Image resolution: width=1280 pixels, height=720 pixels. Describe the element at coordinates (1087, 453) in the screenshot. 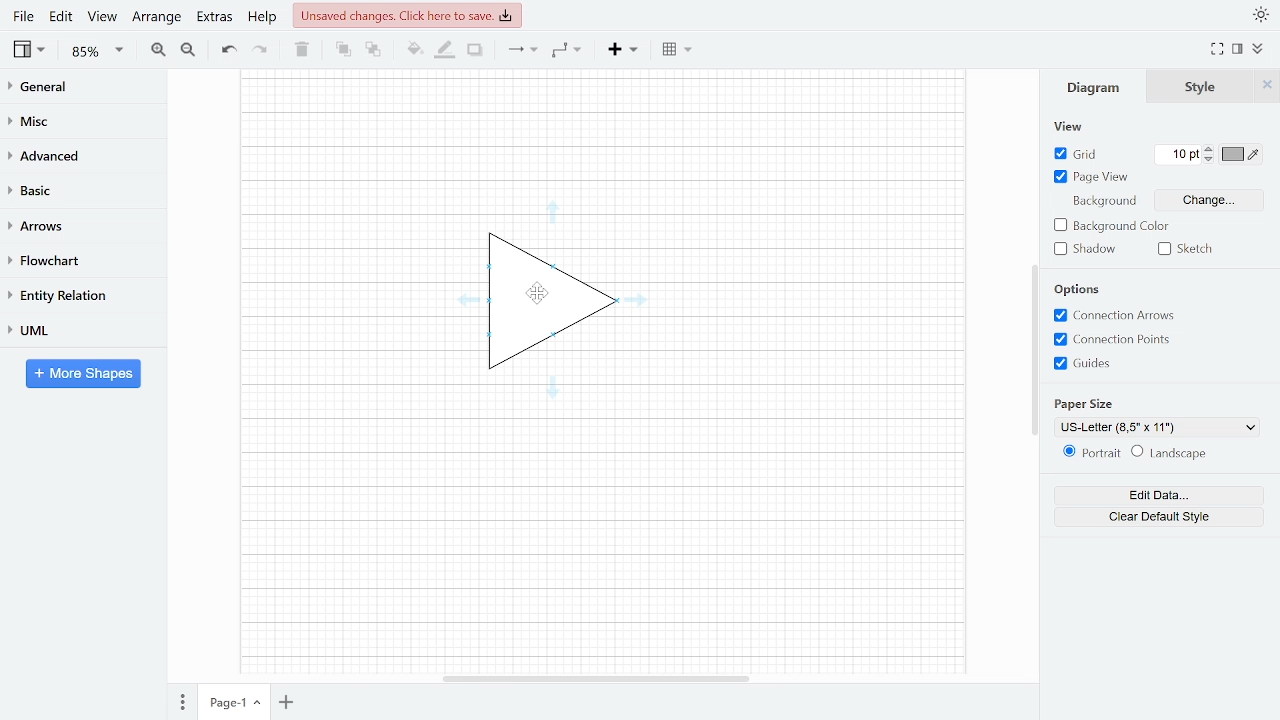

I see `Portal` at that location.